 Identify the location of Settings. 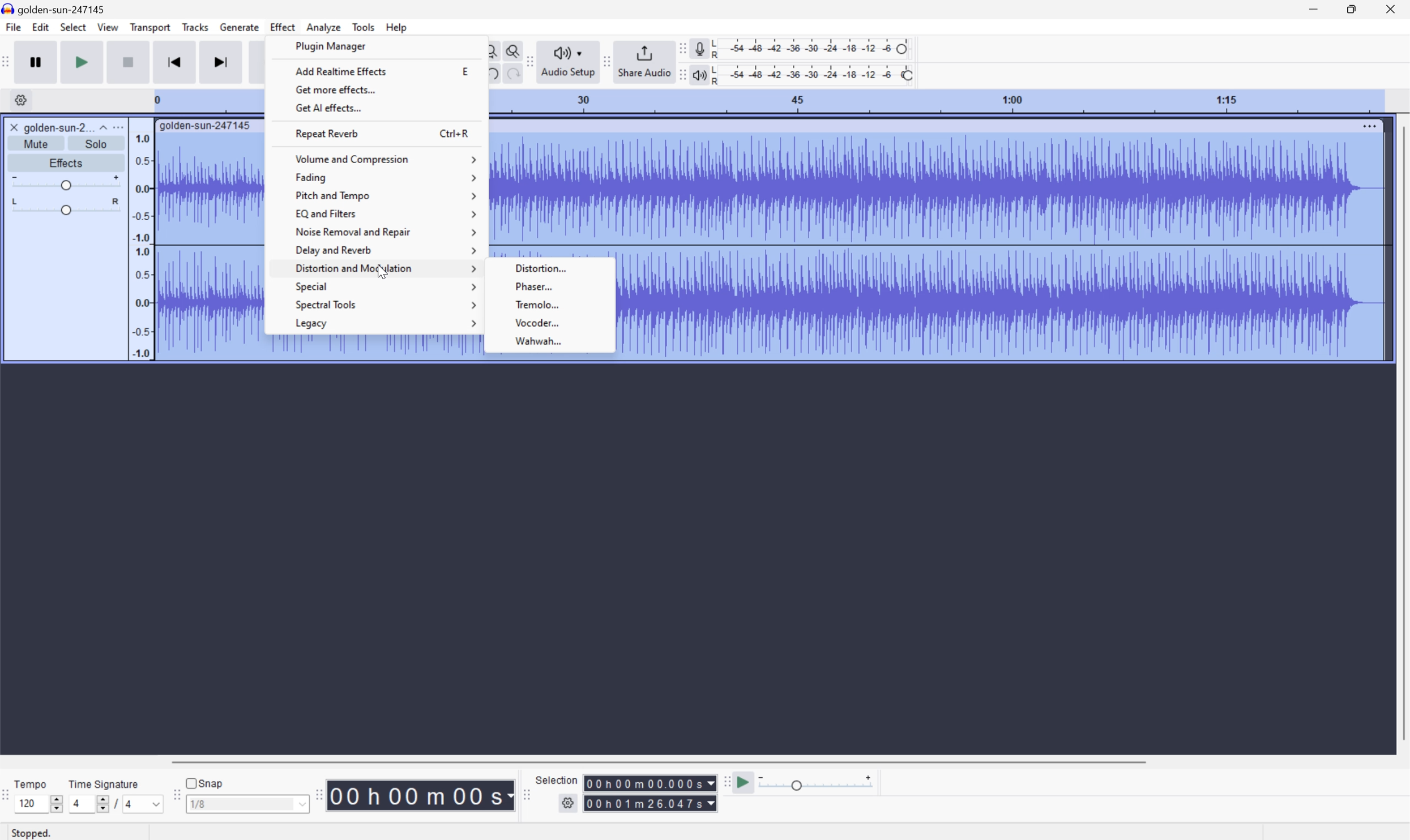
(23, 100).